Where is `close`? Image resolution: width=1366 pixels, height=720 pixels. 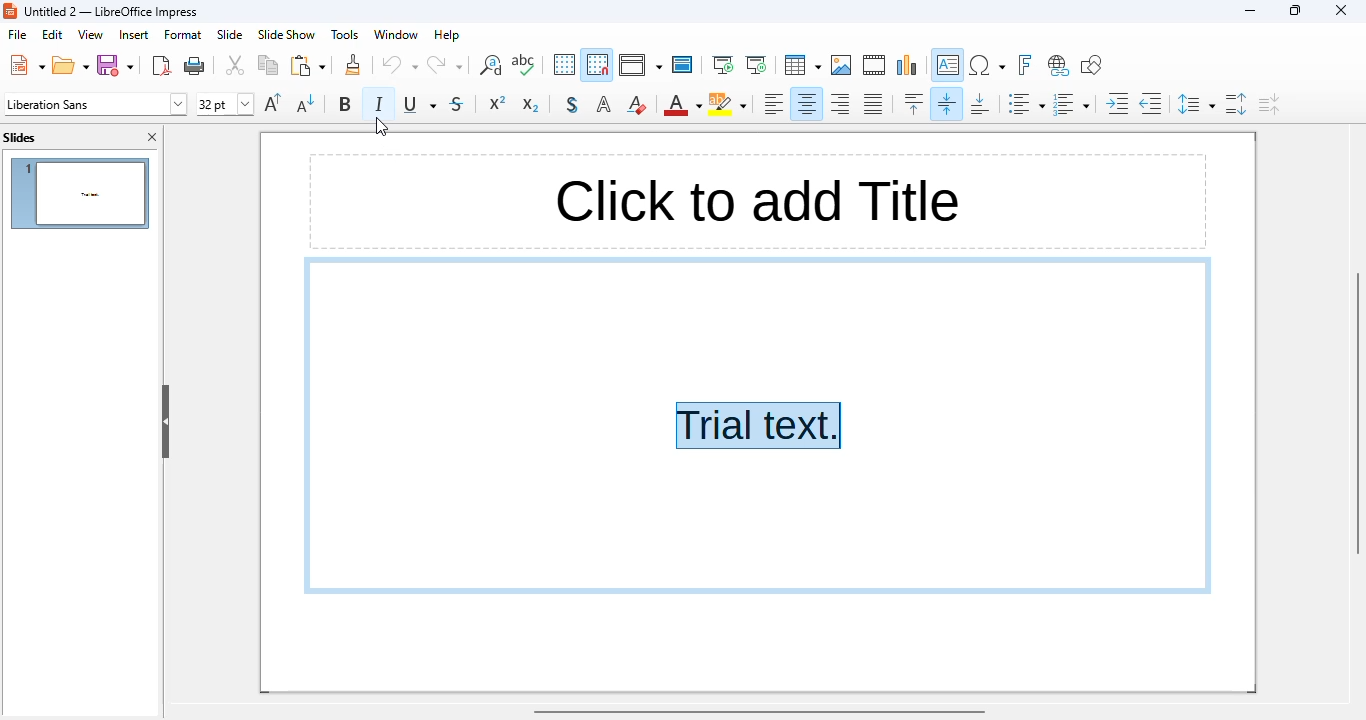
close is located at coordinates (1340, 10).